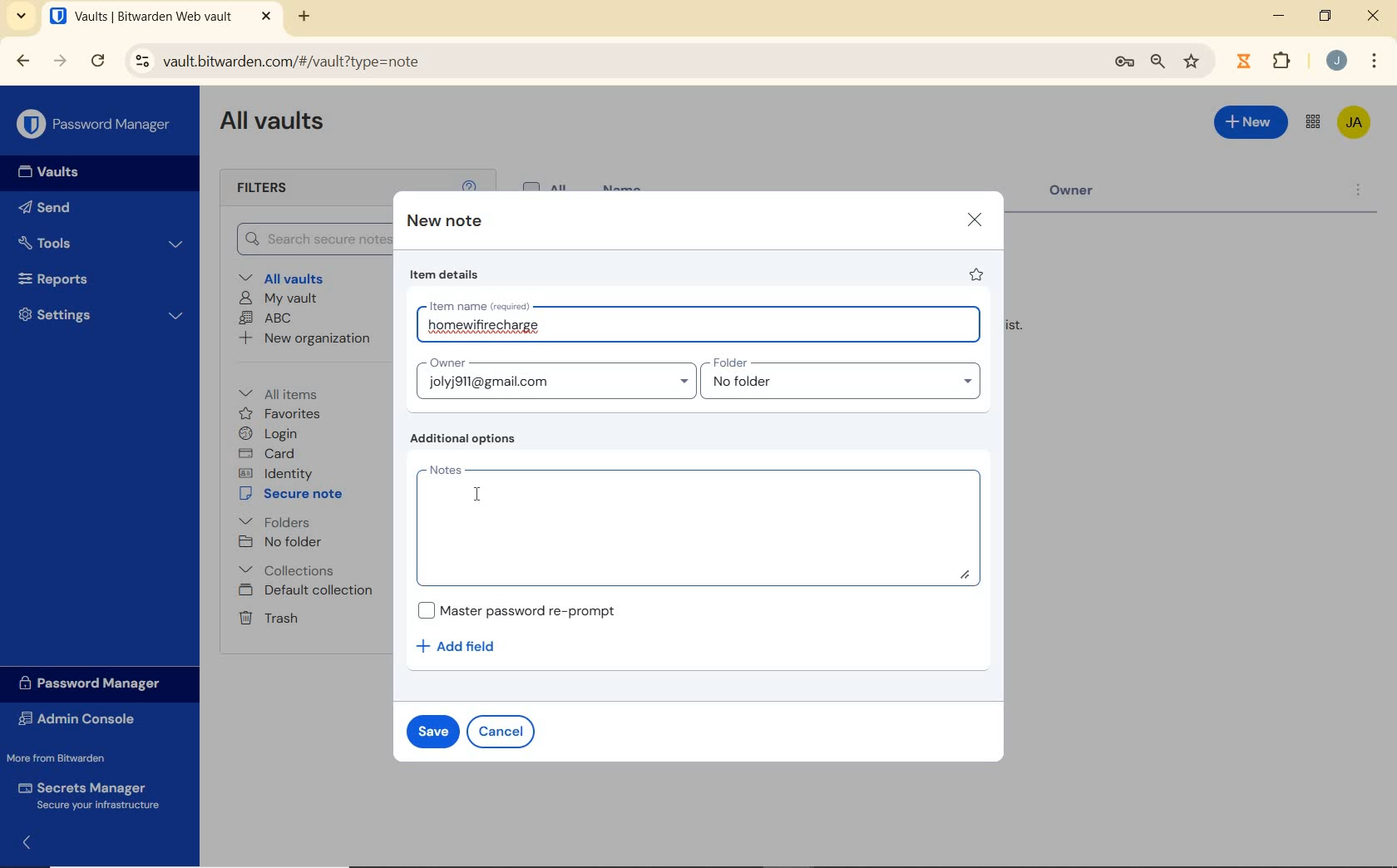 The height and width of the screenshot is (868, 1397). What do you see at coordinates (23, 18) in the screenshot?
I see `search tabs` at bounding box center [23, 18].